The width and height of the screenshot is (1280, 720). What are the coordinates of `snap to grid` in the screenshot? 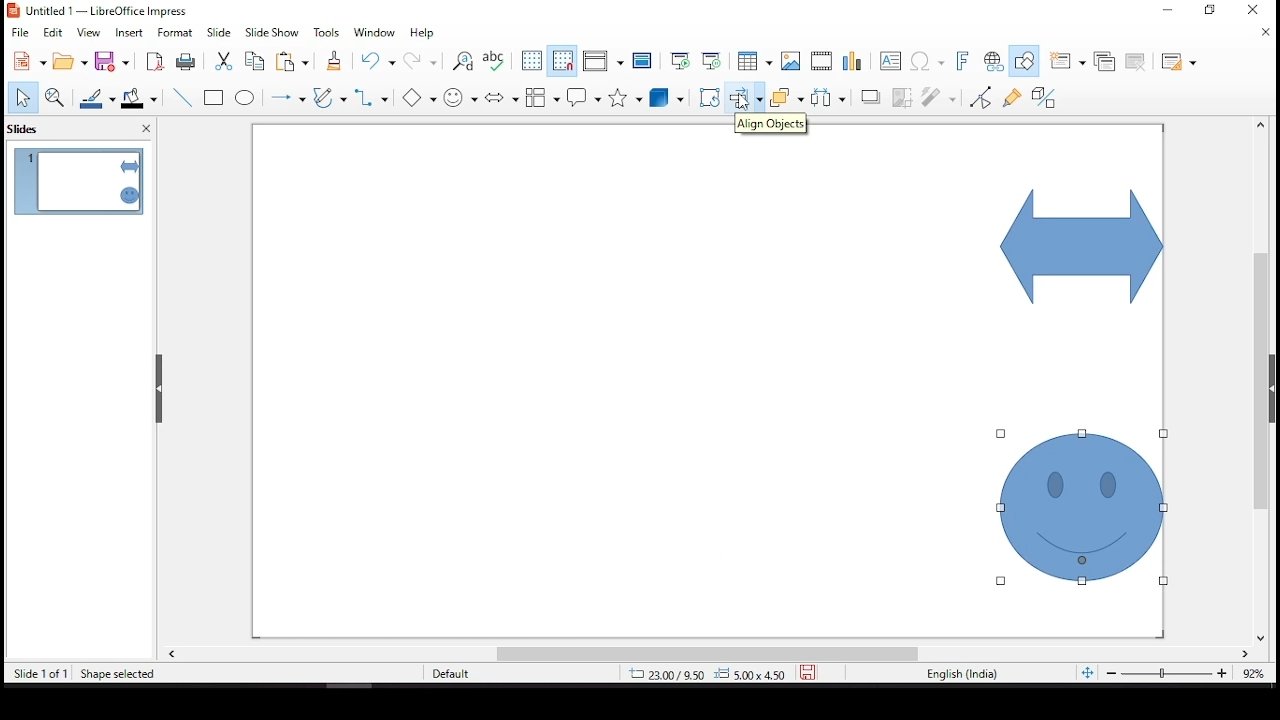 It's located at (562, 61).